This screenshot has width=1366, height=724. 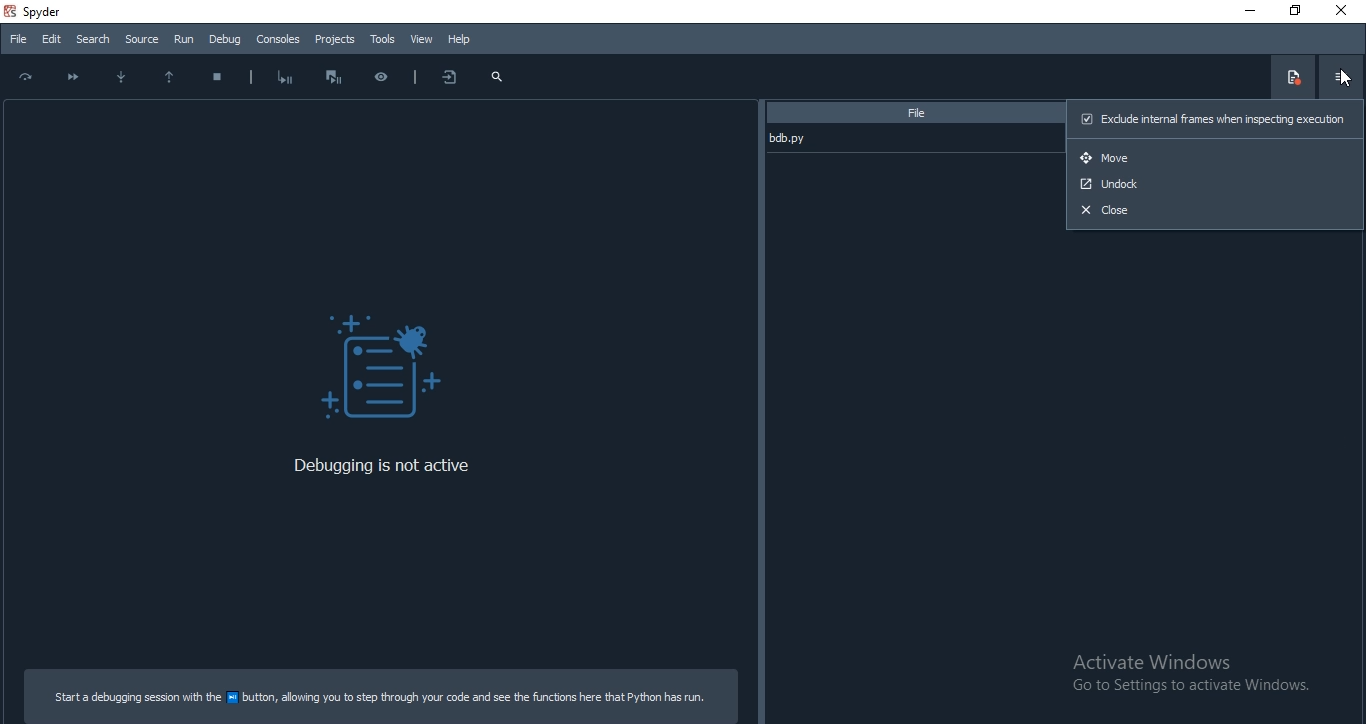 I want to click on File , so click(x=17, y=41).